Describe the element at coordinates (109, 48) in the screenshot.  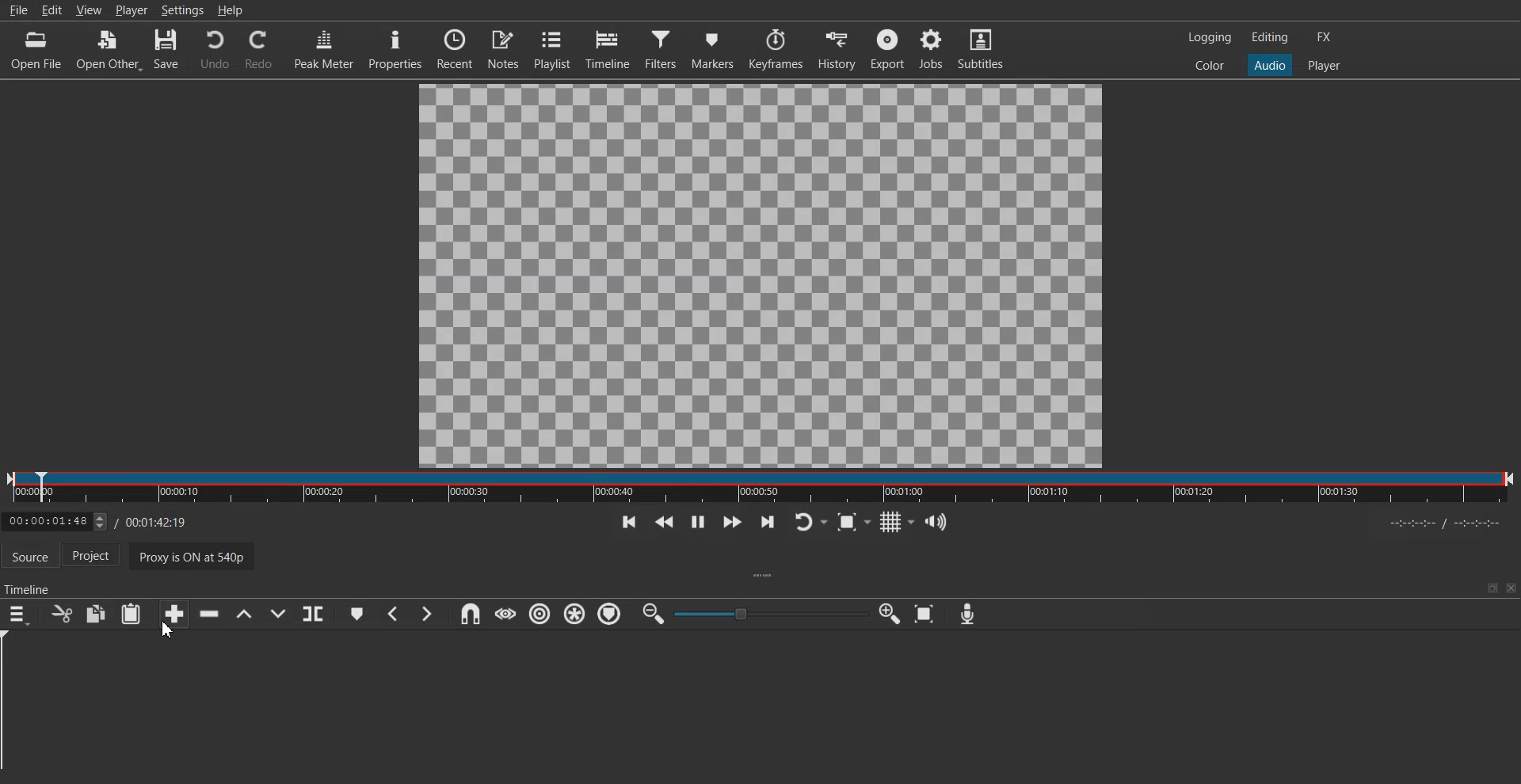
I see `Open Other` at that location.